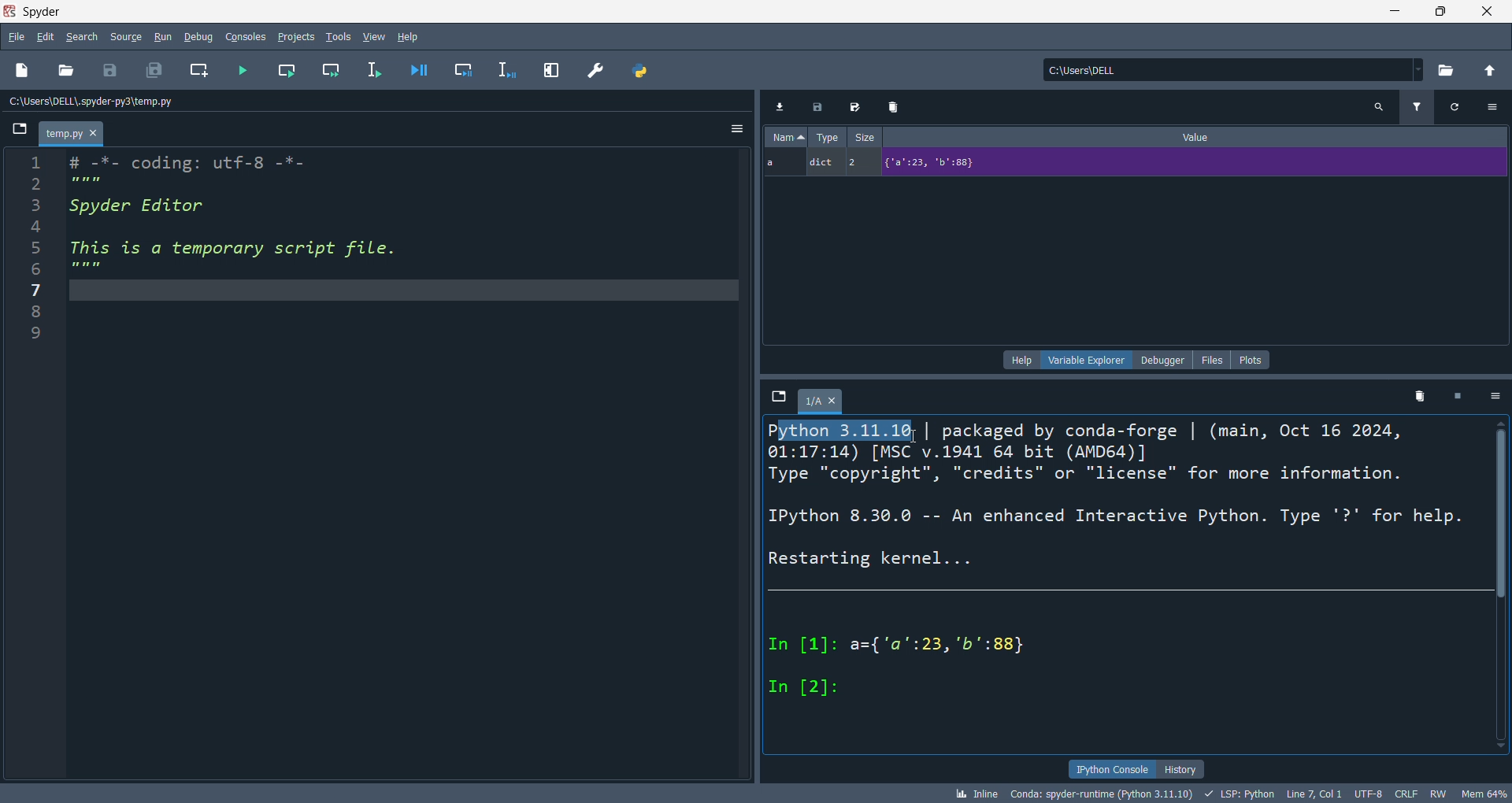 The width and height of the screenshot is (1512, 803). What do you see at coordinates (914, 437) in the screenshot?
I see `cursor` at bounding box center [914, 437].